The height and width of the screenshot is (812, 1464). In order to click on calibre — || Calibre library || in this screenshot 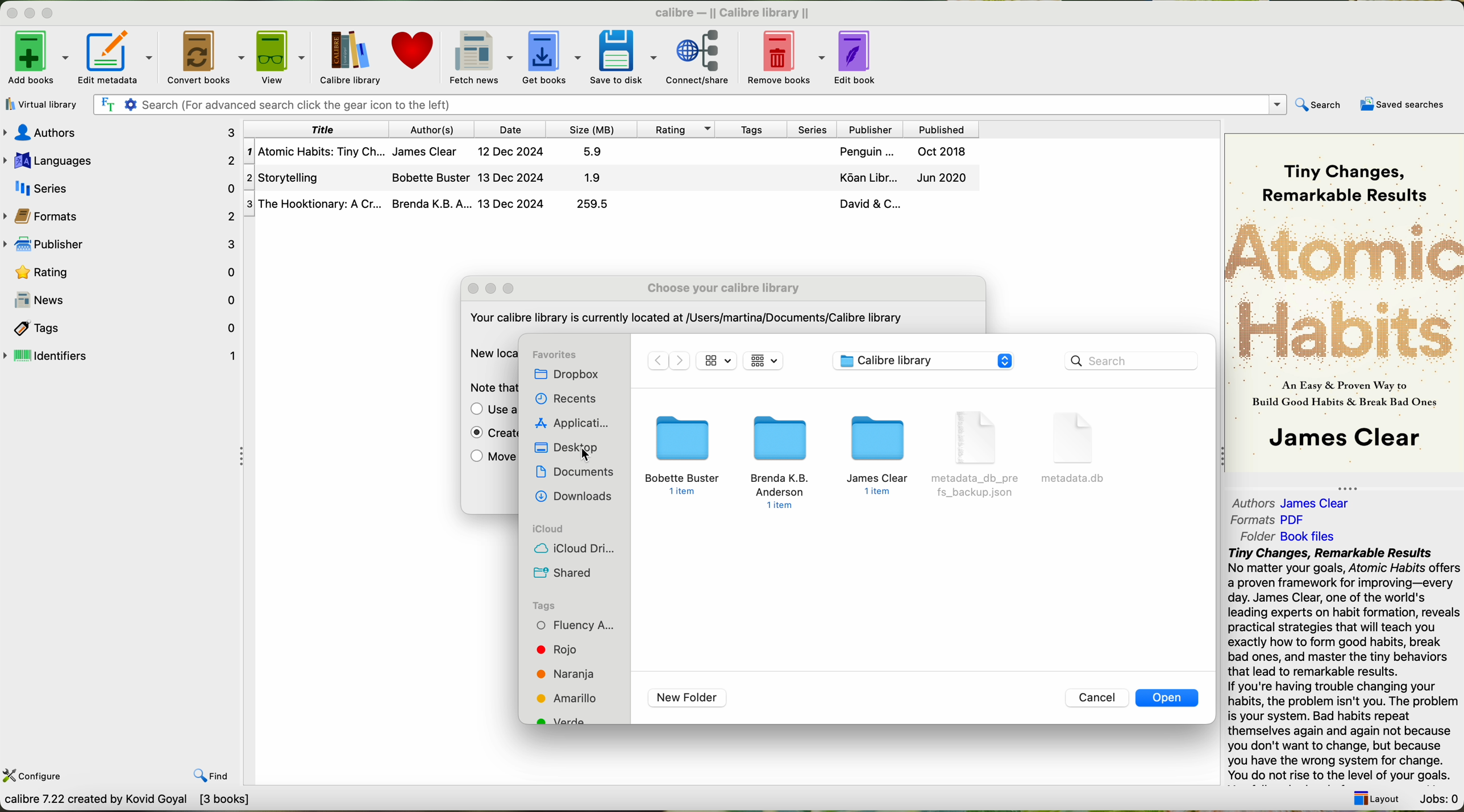, I will do `click(735, 12)`.